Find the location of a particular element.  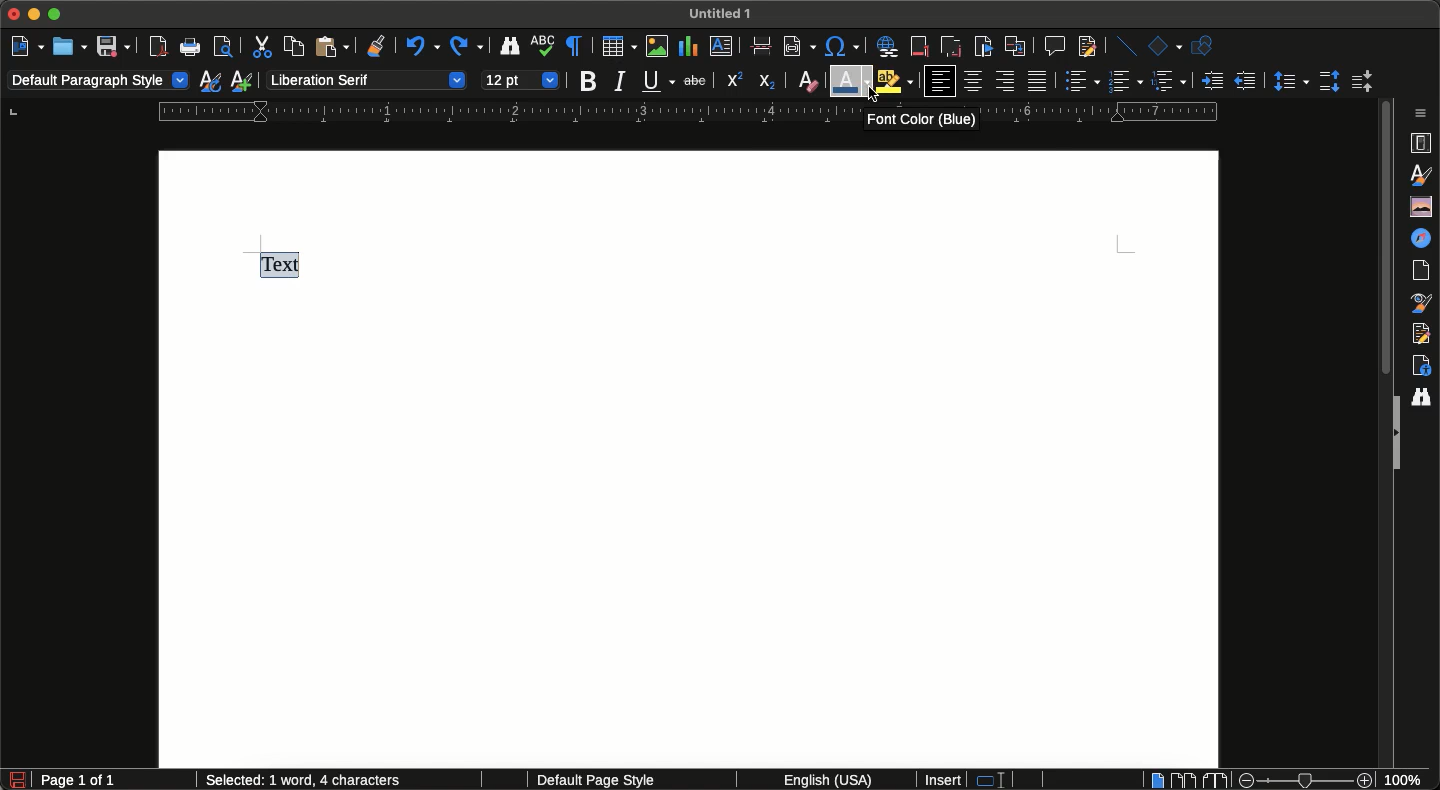

New style from selection is located at coordinates (244, 81).